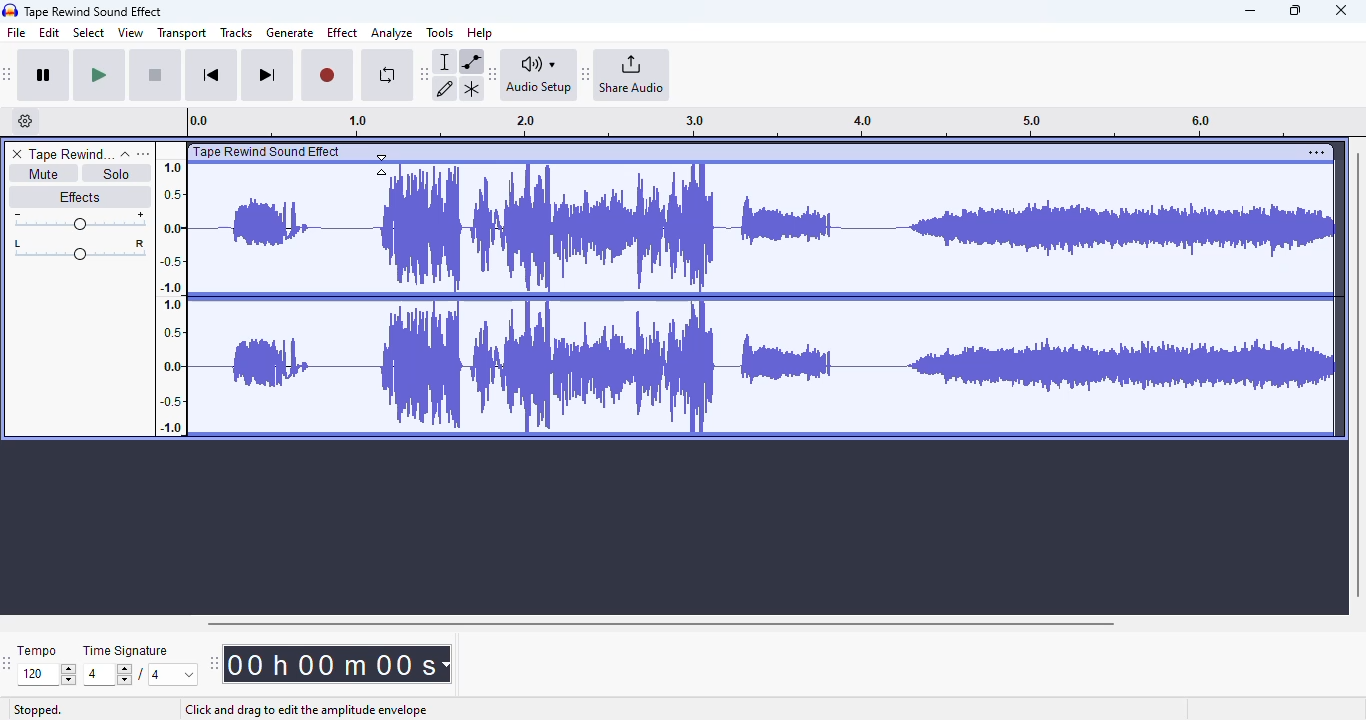 This screenshot has height=720, width=1366. What do you see at coordinates (266, 76) in the screenshot?
I see `skip to end` at bounding box center [266, 76].